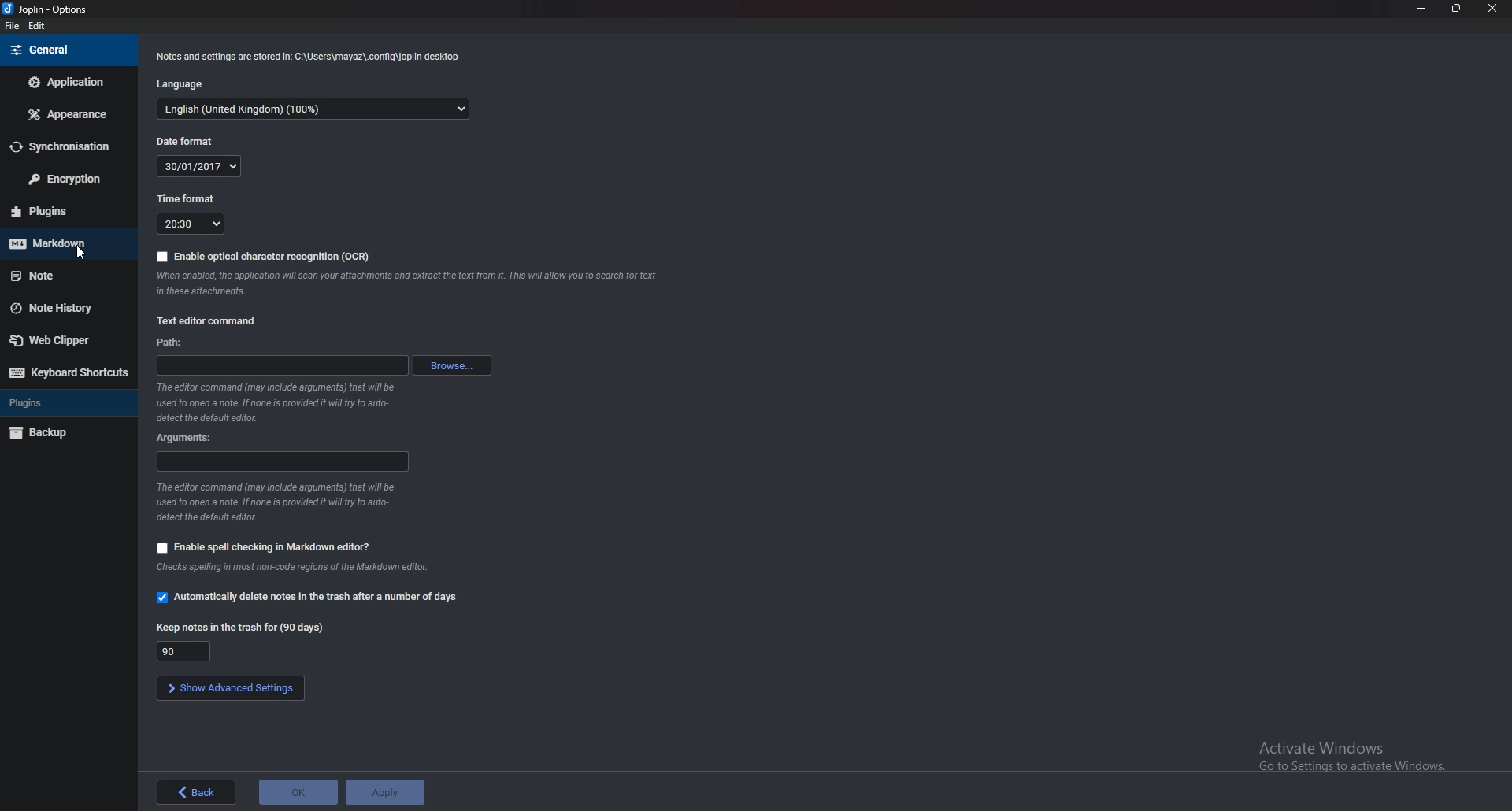  Describe the element at coordinates (183, 650) in the screenshot. I see `Keep notes in trash for` at that location.